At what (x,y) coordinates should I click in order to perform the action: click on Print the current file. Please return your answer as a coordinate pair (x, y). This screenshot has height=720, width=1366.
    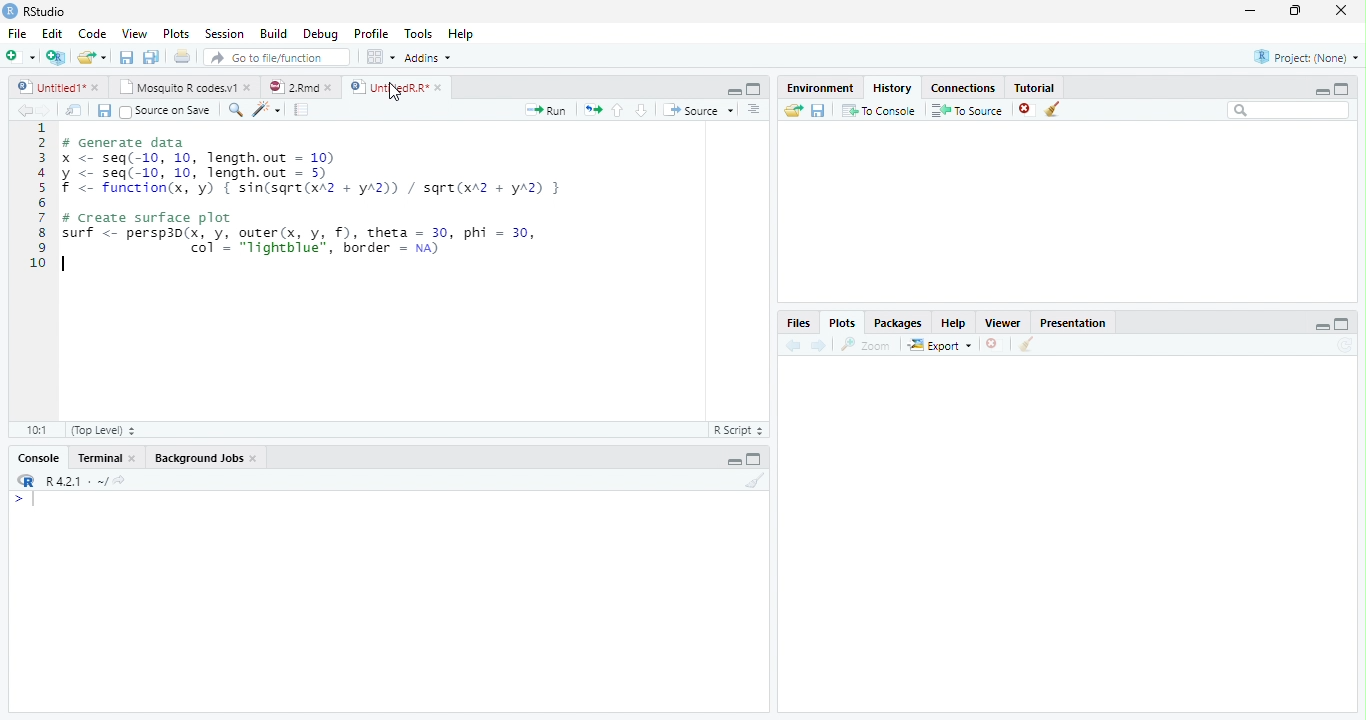
    Looking at the image, I should click on (182, 55).